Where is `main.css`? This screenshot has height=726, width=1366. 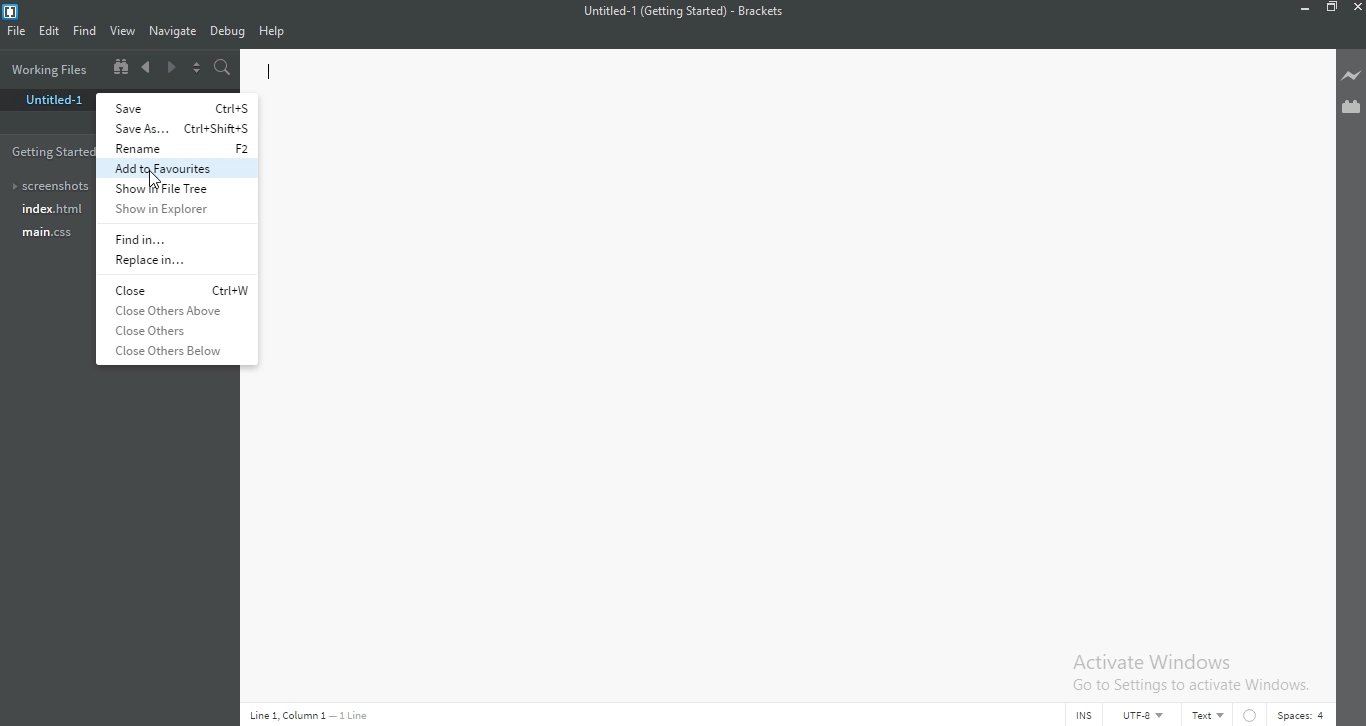 main.css is located at coordinates (45, 235).